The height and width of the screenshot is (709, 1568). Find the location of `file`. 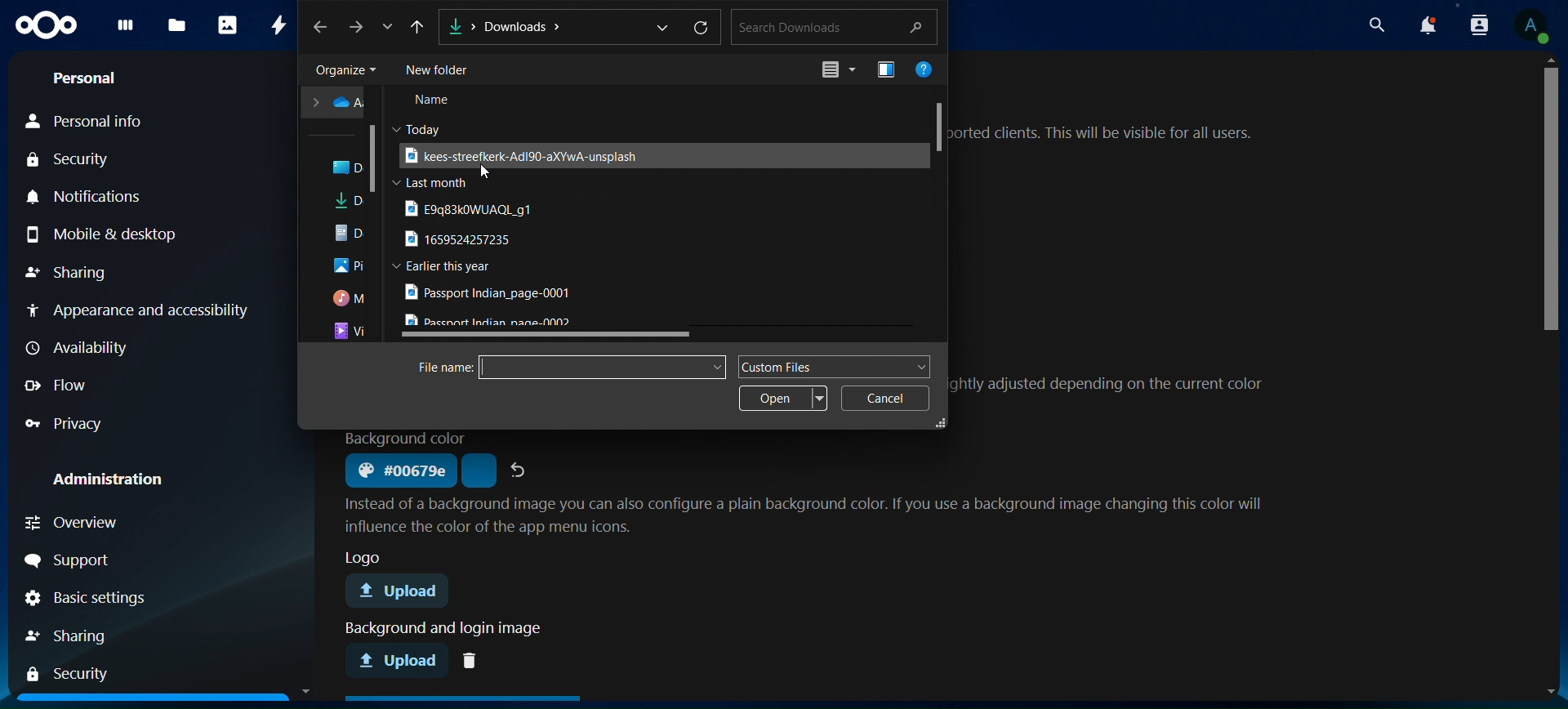

file is located at coordinates (477, 208).